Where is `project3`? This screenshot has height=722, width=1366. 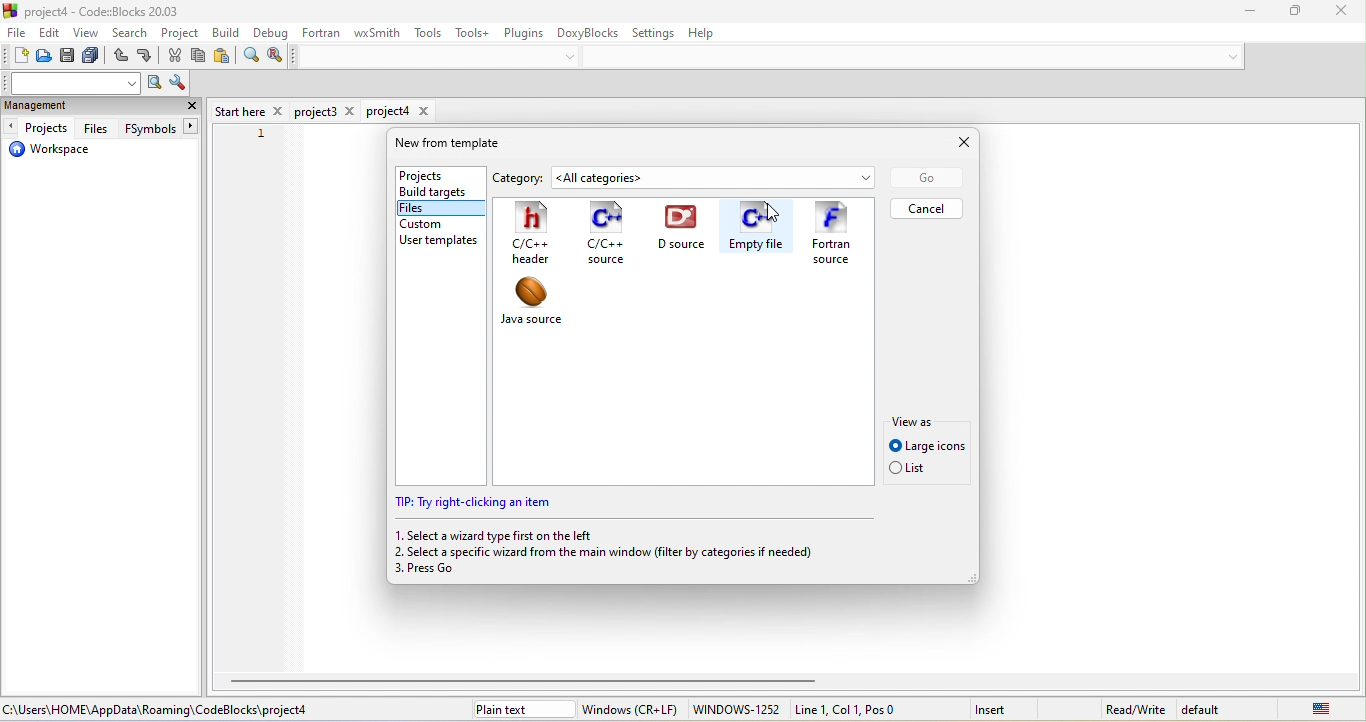 project3 is located at coordinates (327, 112).